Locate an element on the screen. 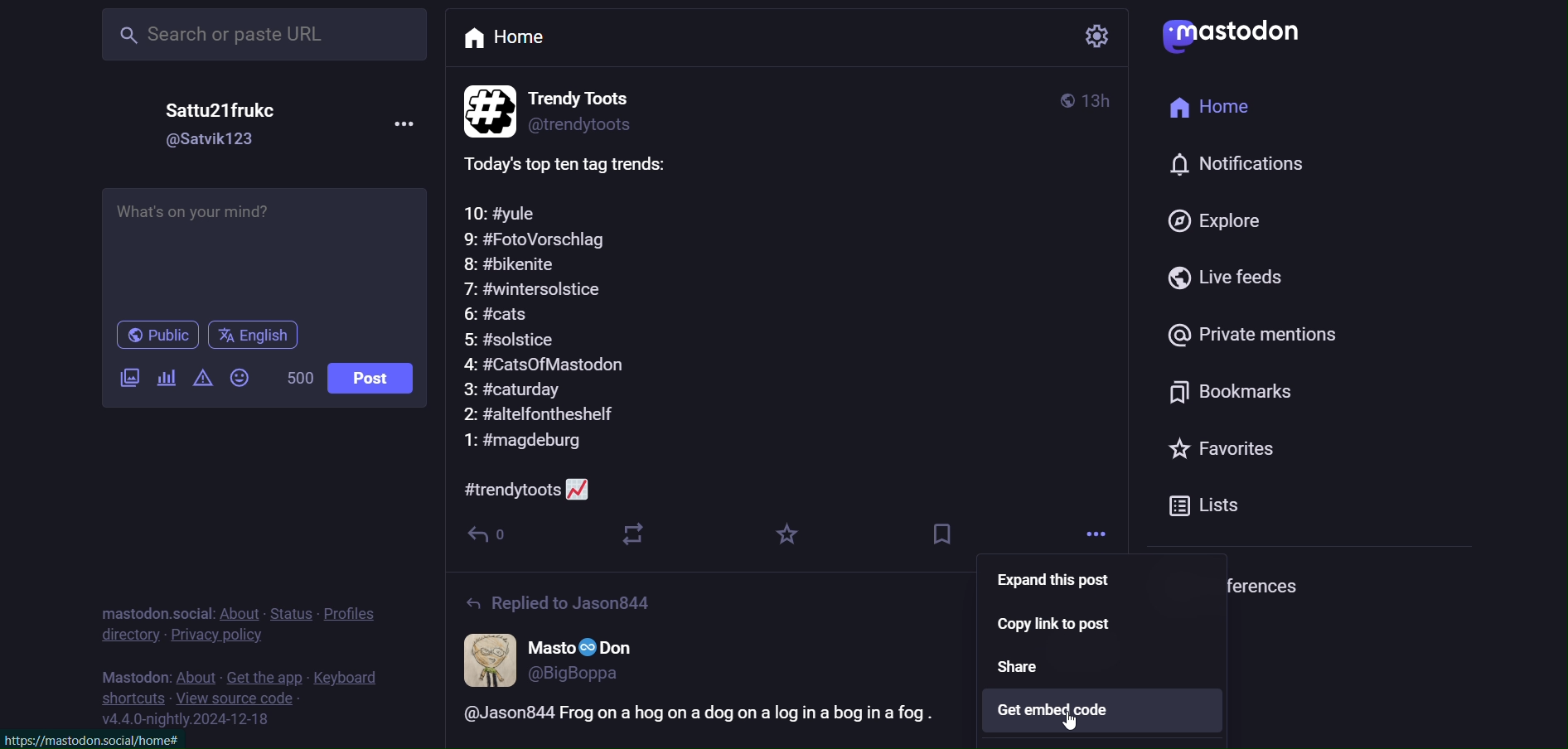 The image size is (1568, 749). home is located at coordinates (1212, 109).